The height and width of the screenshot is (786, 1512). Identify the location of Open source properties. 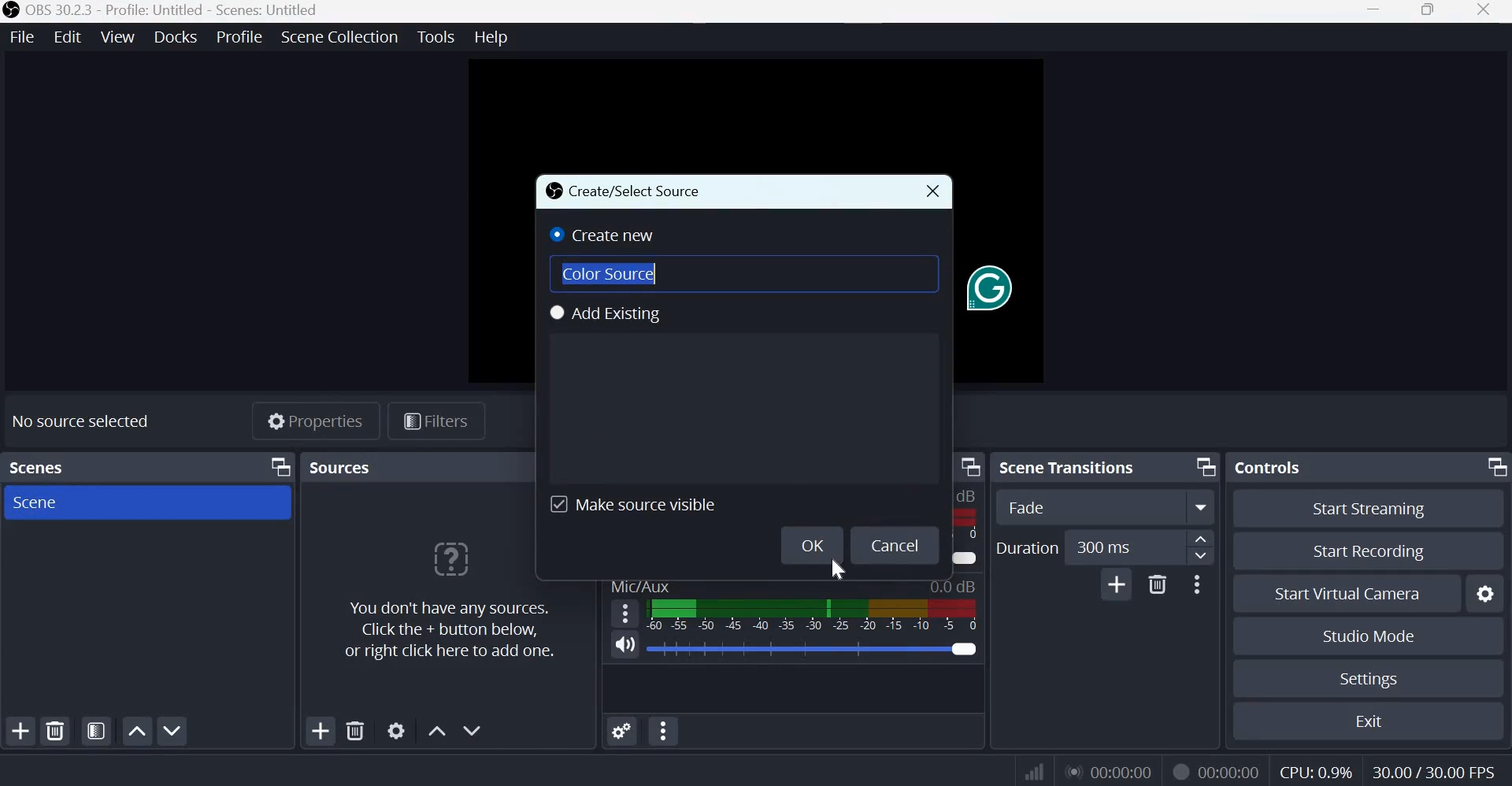
(398, 730).